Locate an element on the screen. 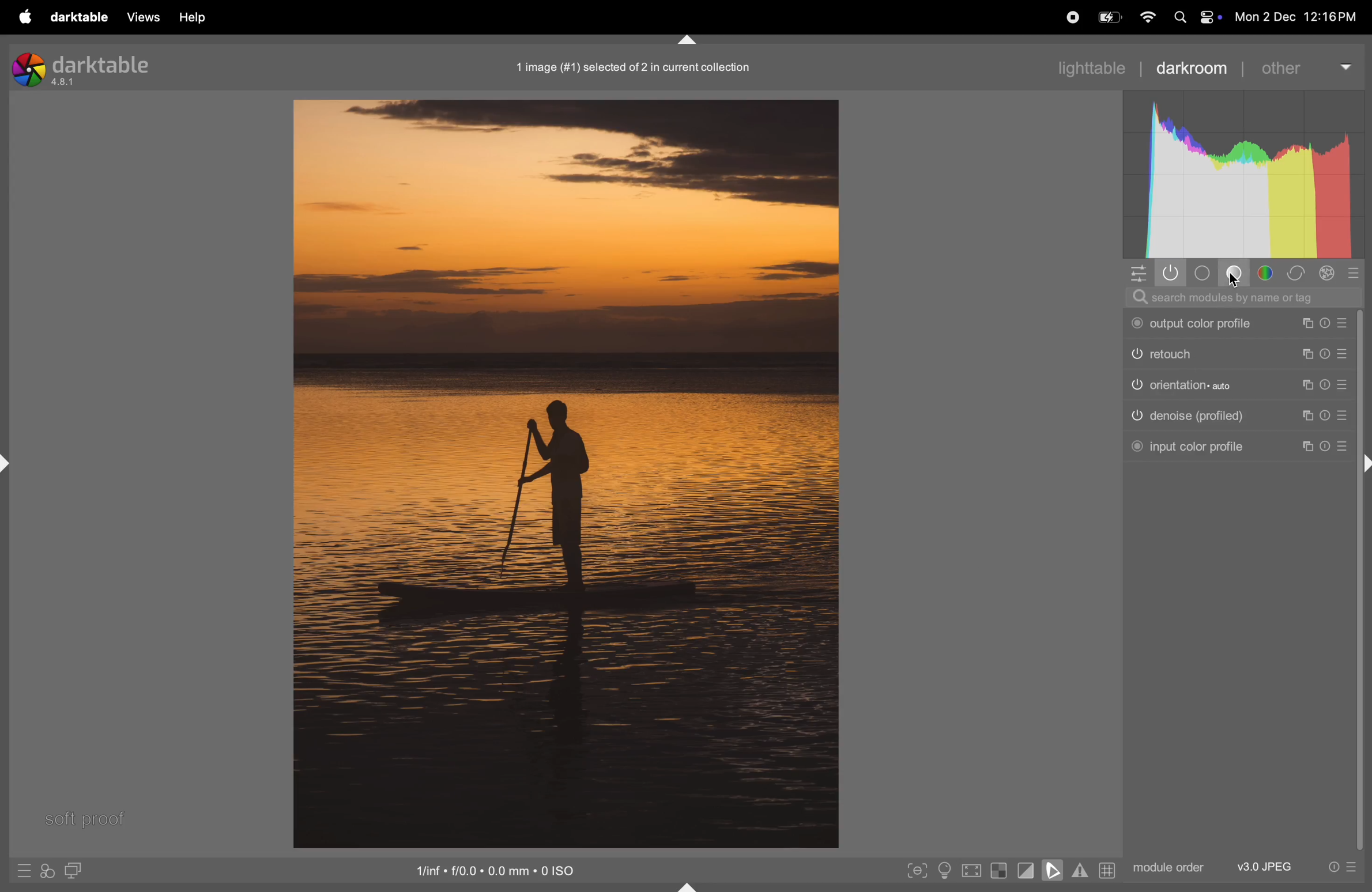 This screenshot has width=1372, height=892. orientation is located at coordinates (1238, 384).